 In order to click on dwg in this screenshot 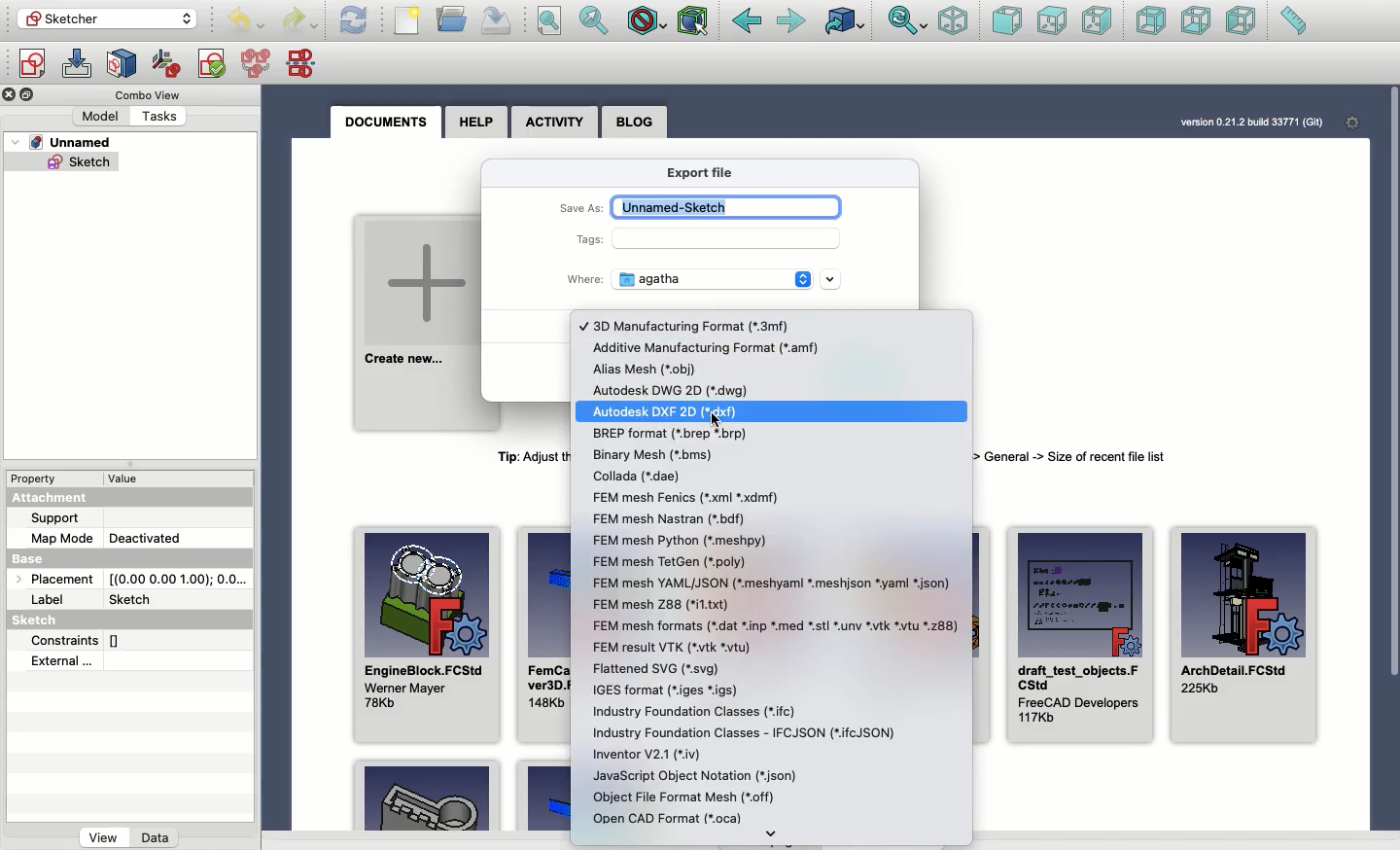, I will do `click(670, 389)`.